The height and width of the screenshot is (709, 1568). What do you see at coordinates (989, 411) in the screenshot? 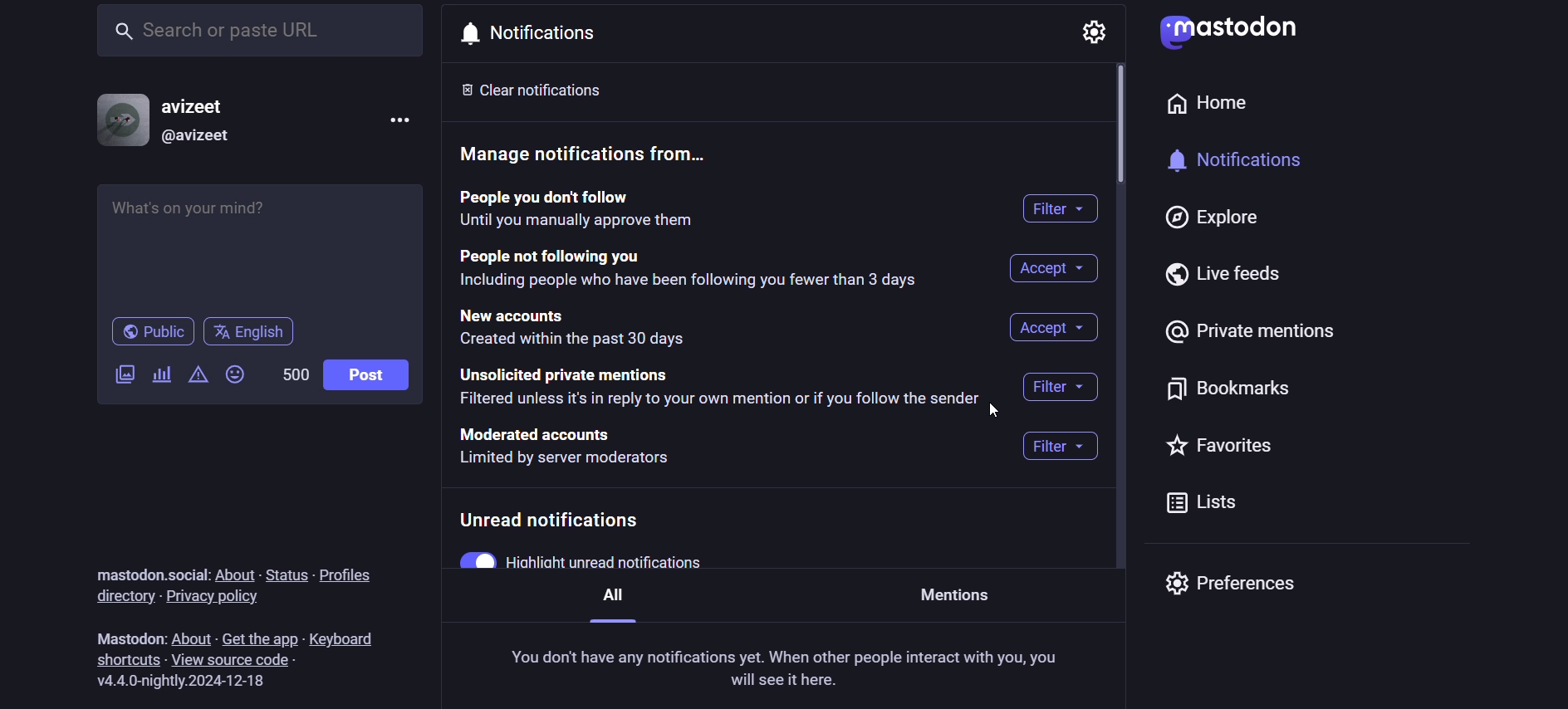
I see `Cursor` at bounding box center [989, 411].